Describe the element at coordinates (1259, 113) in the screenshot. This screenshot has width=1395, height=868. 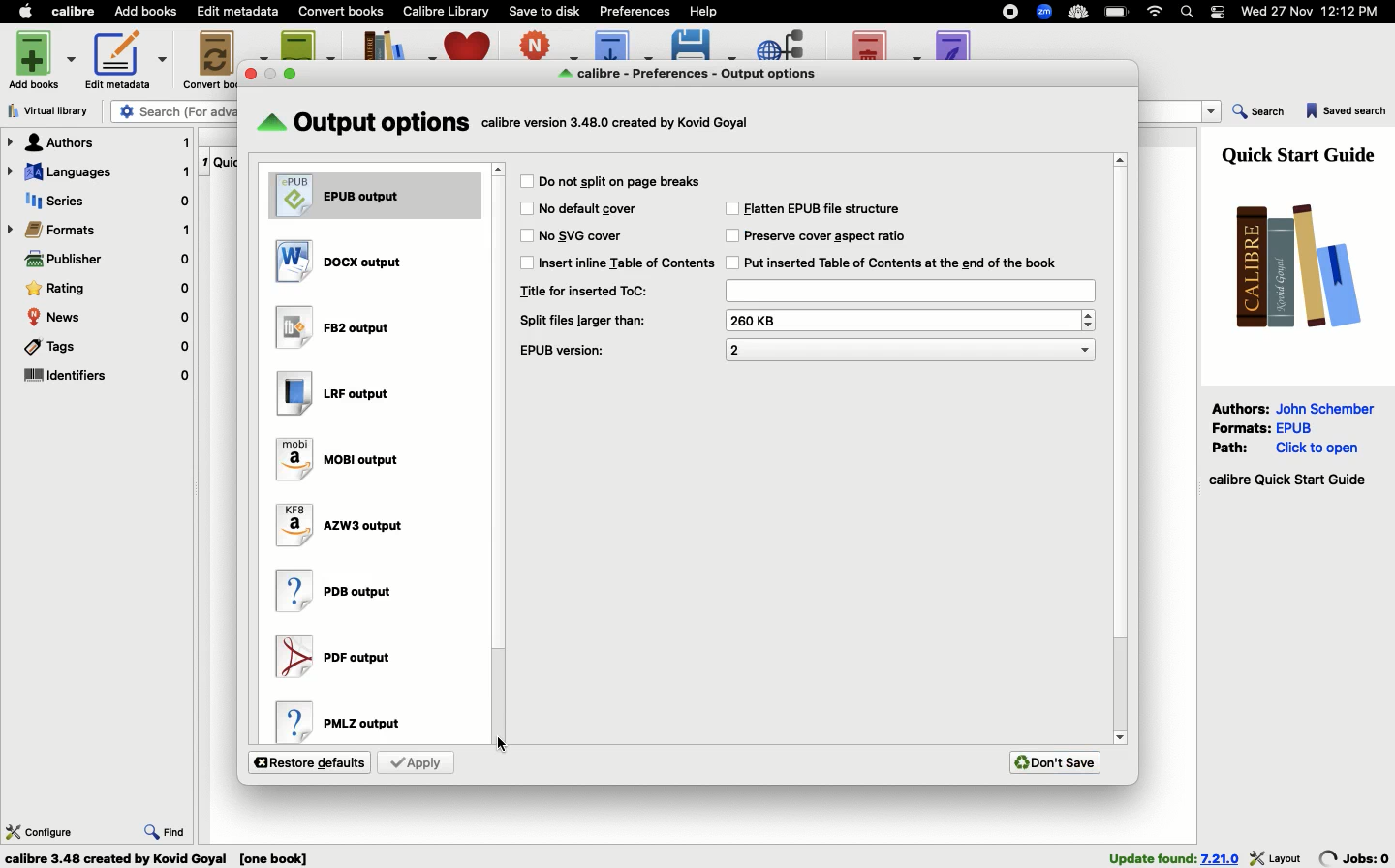
I see `Search` at that location.